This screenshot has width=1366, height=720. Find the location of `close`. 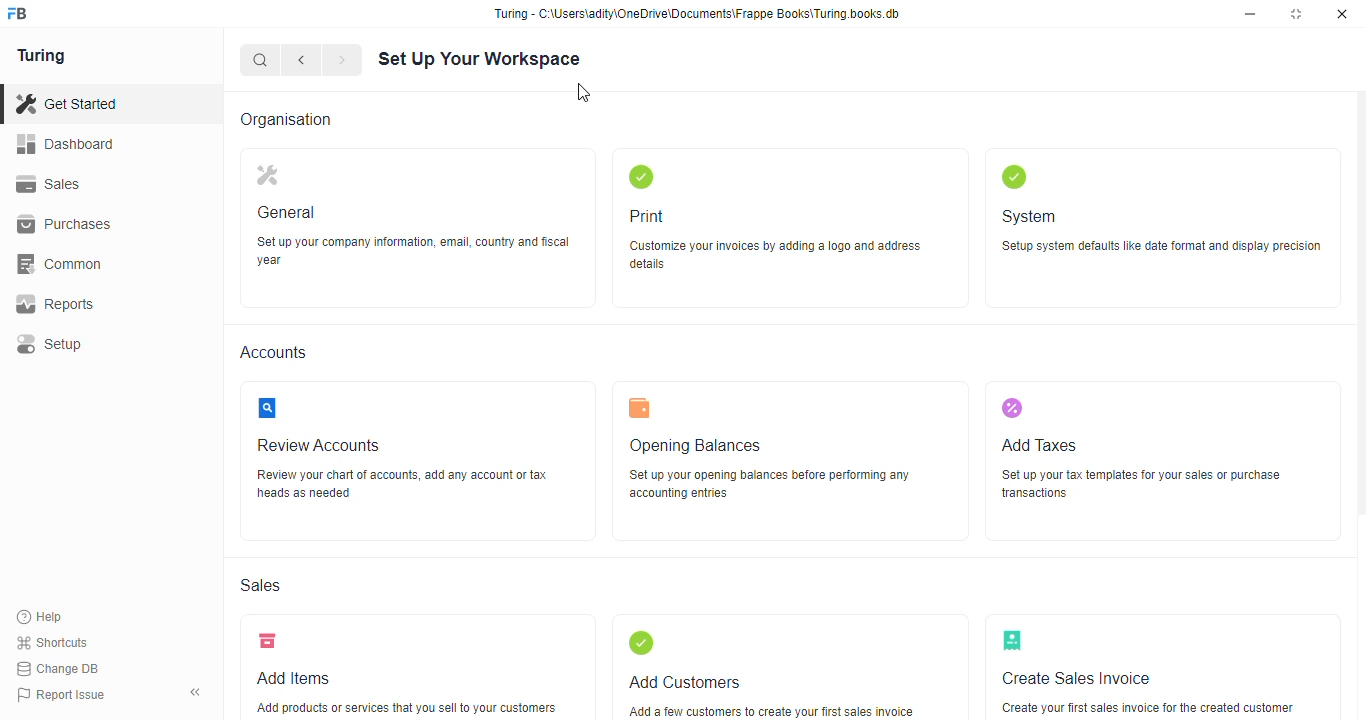

close is located at coordinates (1345, 16).